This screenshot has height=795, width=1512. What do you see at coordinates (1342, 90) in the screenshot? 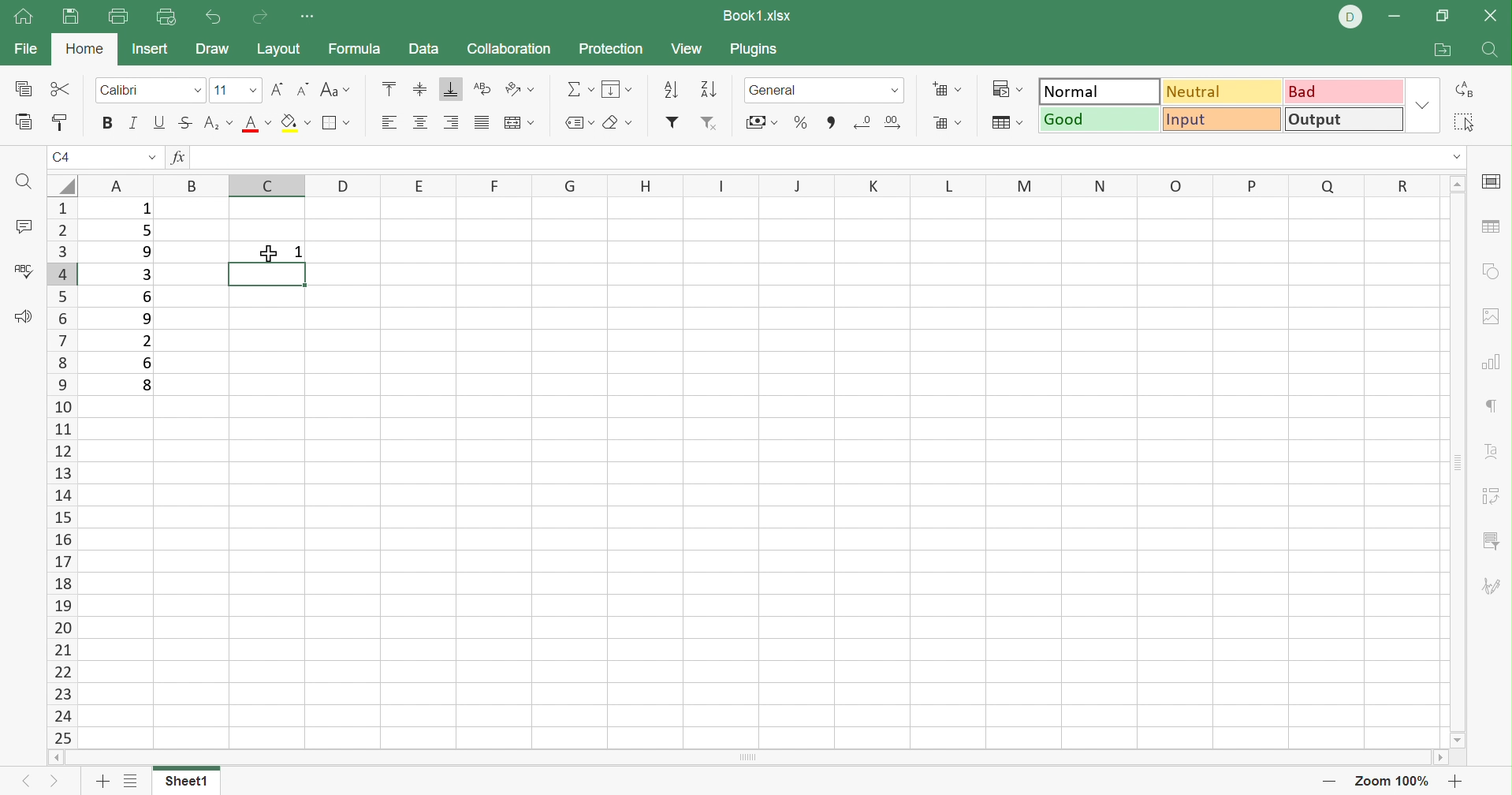
I see `Bad` at bounding box center [1342, 90].